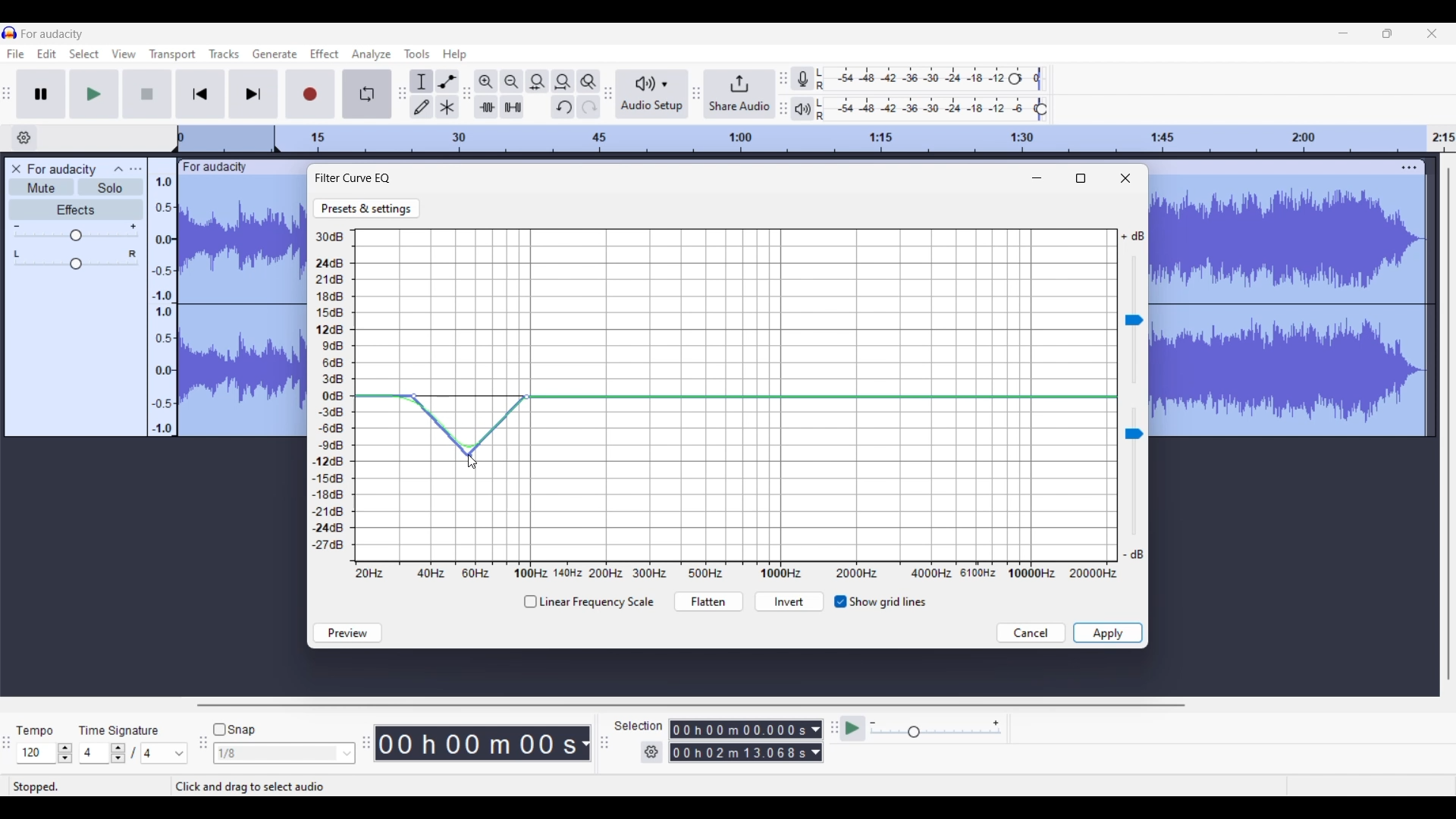 The image size is (1456, 819). Describe the element at coordinates (1409, 168) in the screenshot. I see `Track settings` at that location.